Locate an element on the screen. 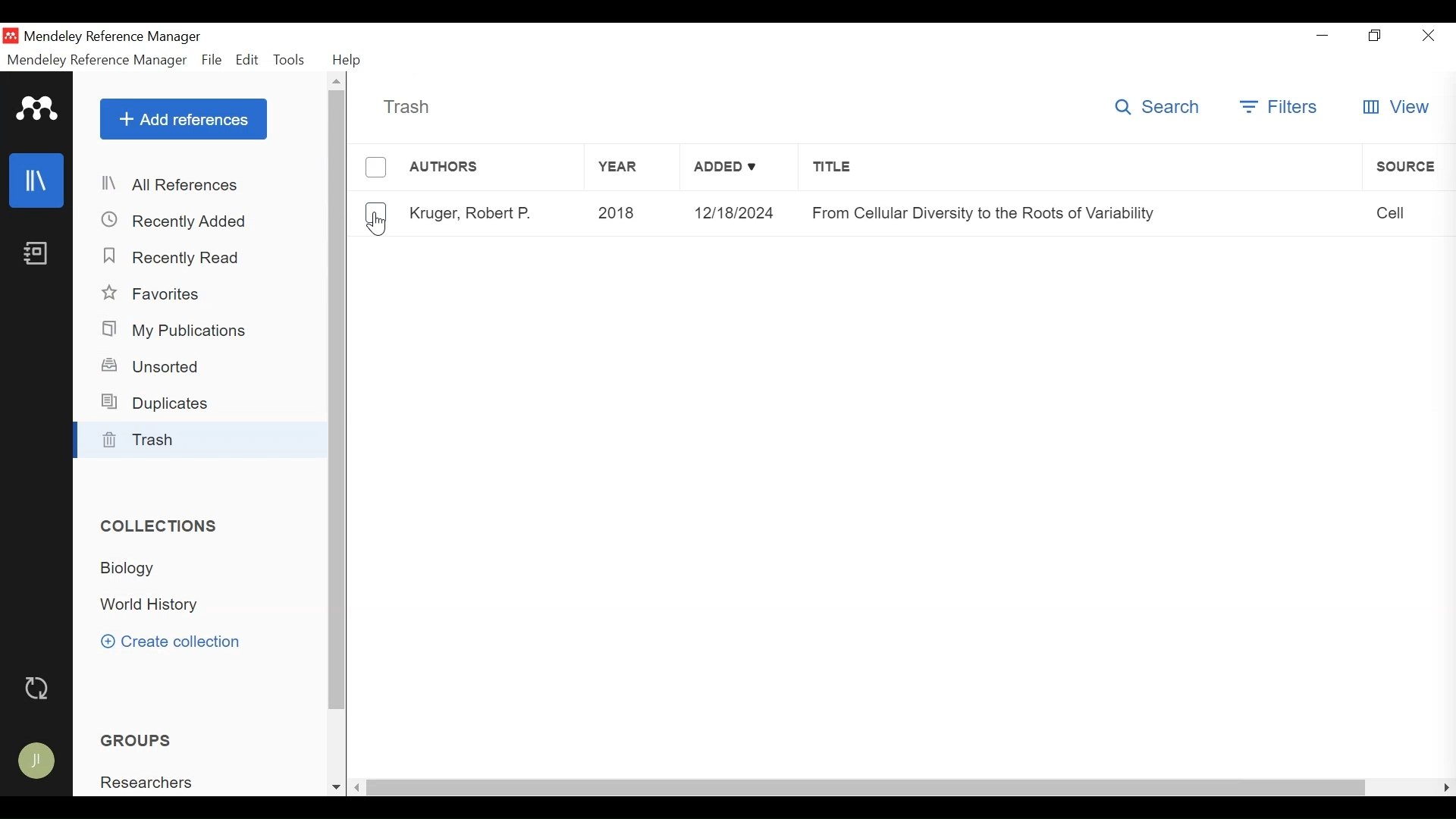  Collections is located at coordinates (162, 526).